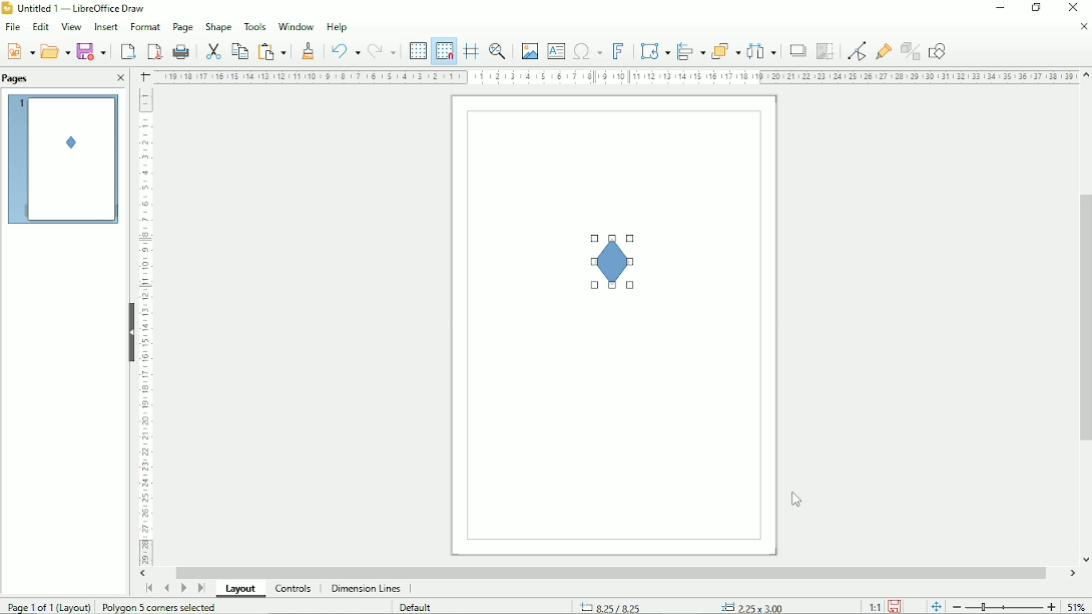 Image resolution: width=1092 pixels, height=614 pixels. Describe the element at coordinates (19, 50) in the screenshot. I see `New` at that location.